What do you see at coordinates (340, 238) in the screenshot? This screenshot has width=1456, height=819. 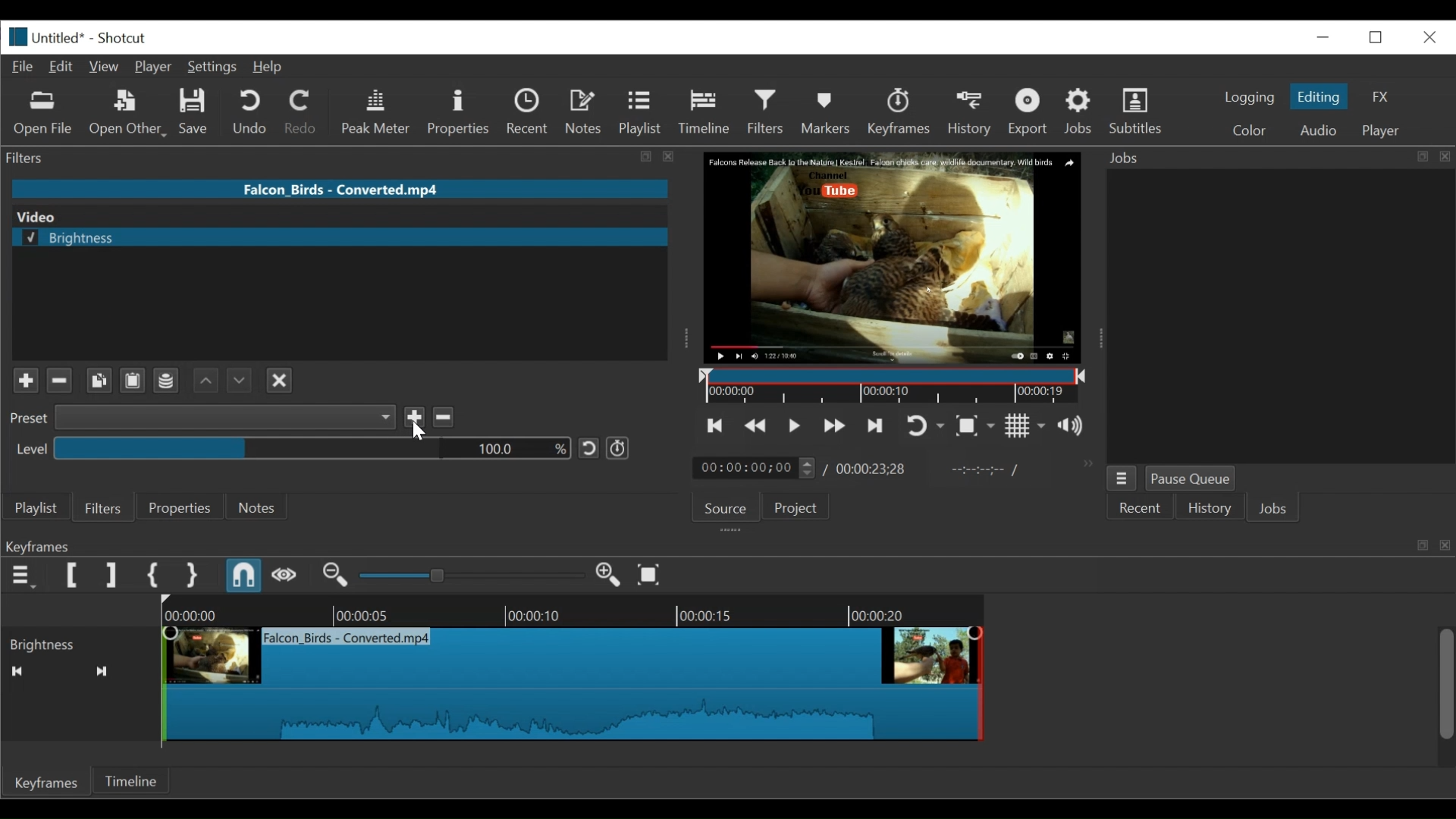 I see `selected brightness` at bounding box center [340, 238].